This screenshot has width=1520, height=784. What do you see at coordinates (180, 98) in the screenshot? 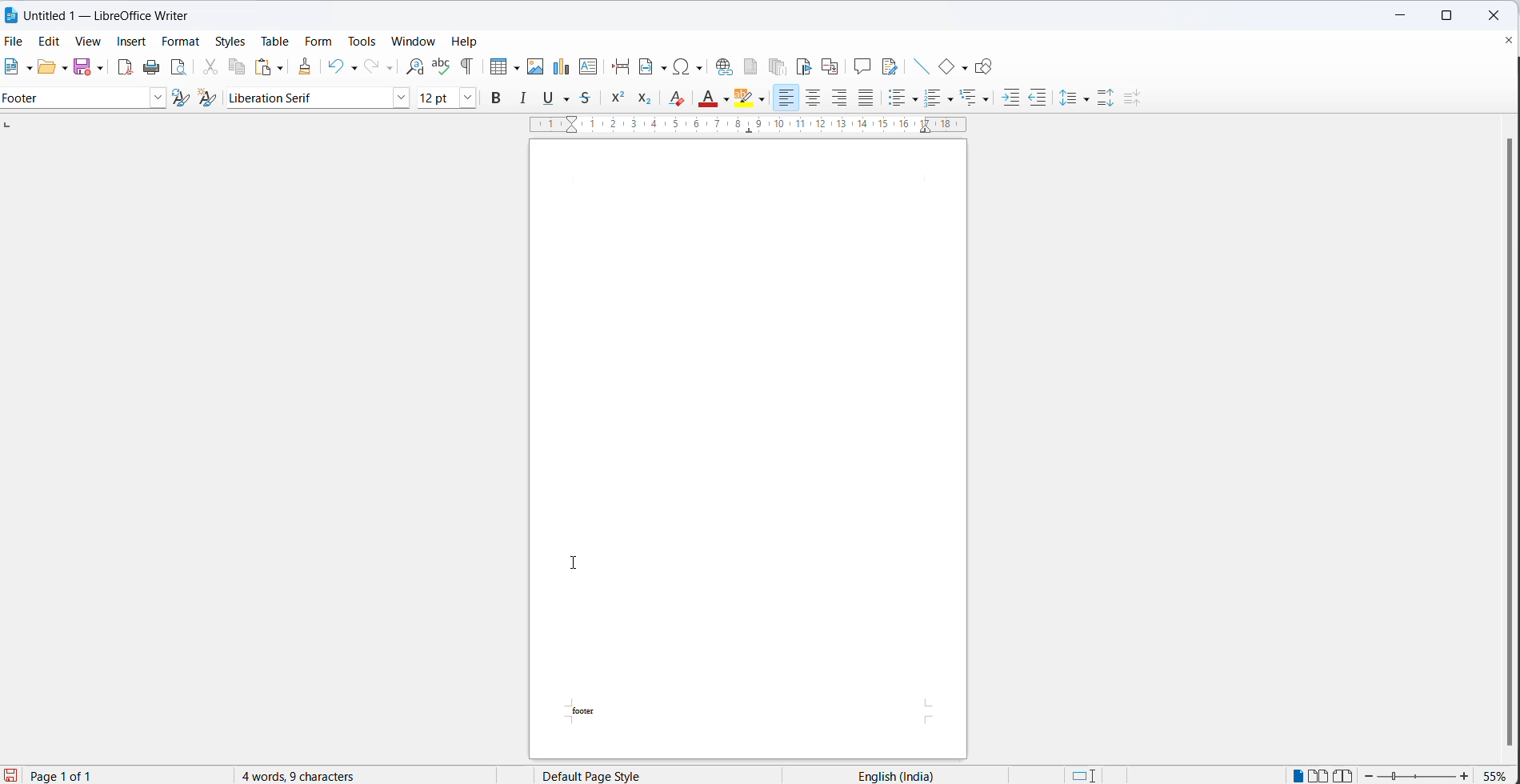
I see `update selected style` at bounding box center [180, 98].